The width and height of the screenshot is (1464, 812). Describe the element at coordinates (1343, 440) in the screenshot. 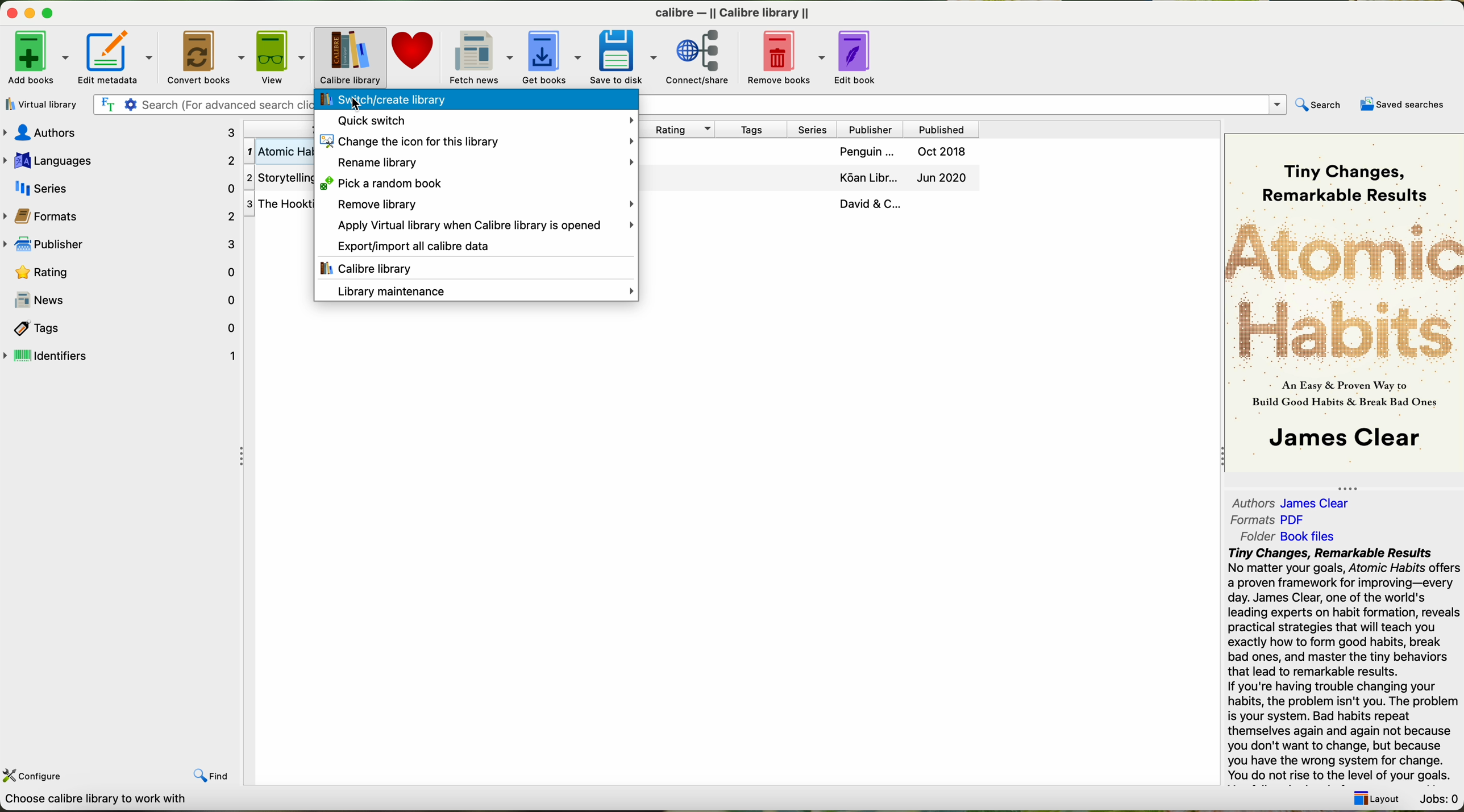

I see `James Clear` at that location.